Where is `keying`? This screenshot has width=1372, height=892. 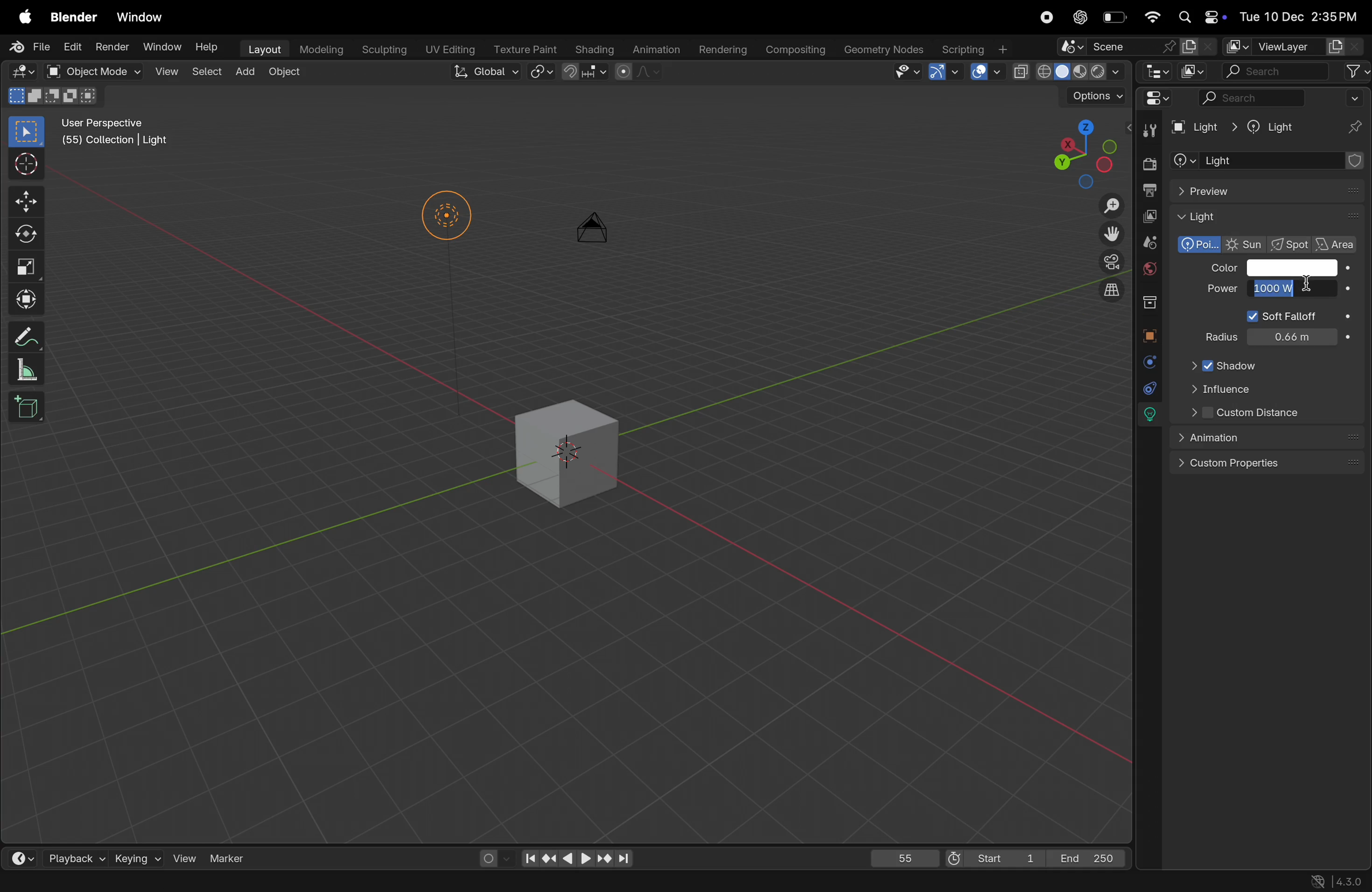
keying is located at coordinates (138, 857).